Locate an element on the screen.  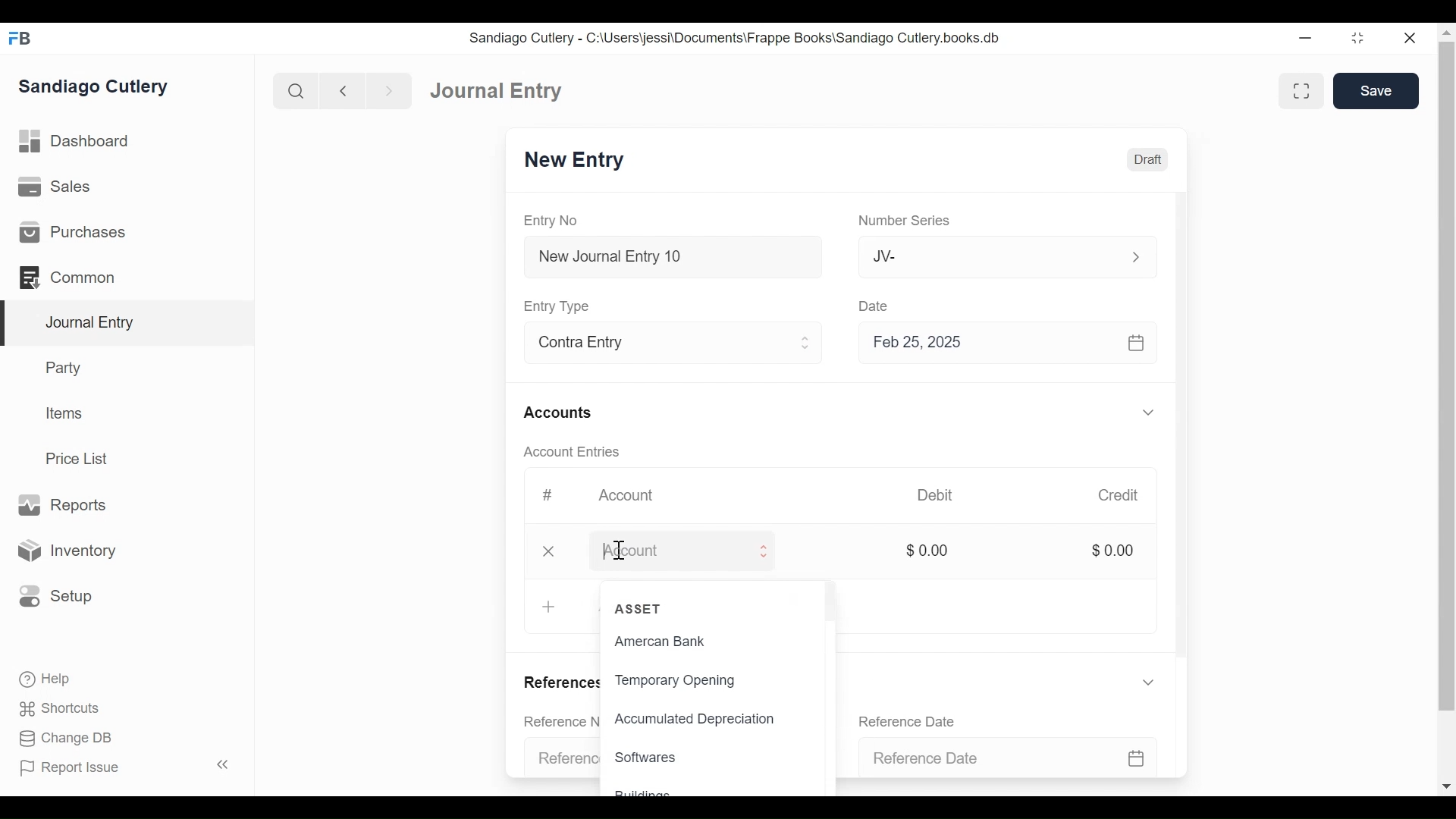
$0.00 is located at coordinates (1112, 550).